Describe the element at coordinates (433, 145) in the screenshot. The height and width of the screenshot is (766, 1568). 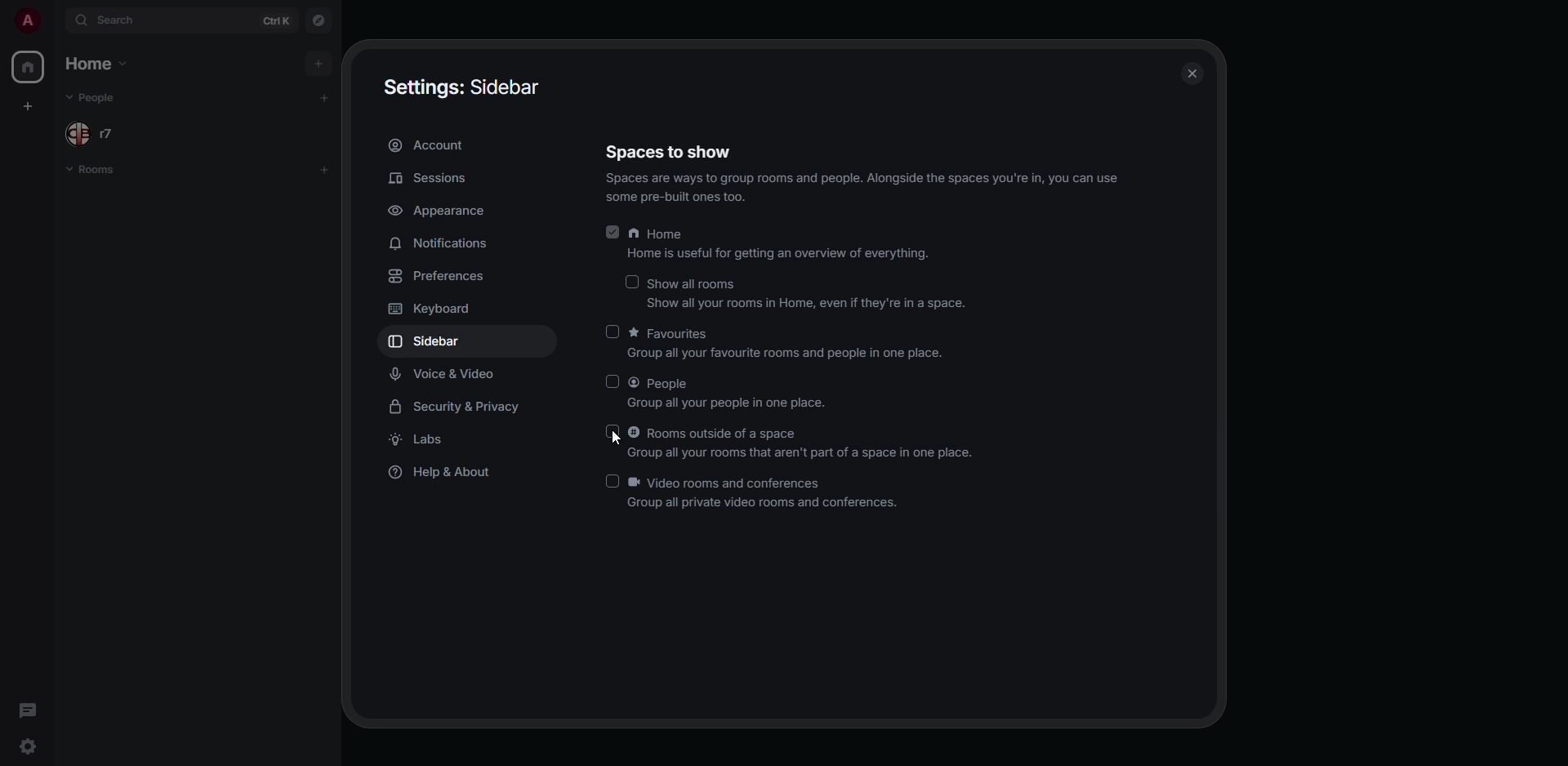
I see `account` at that location.